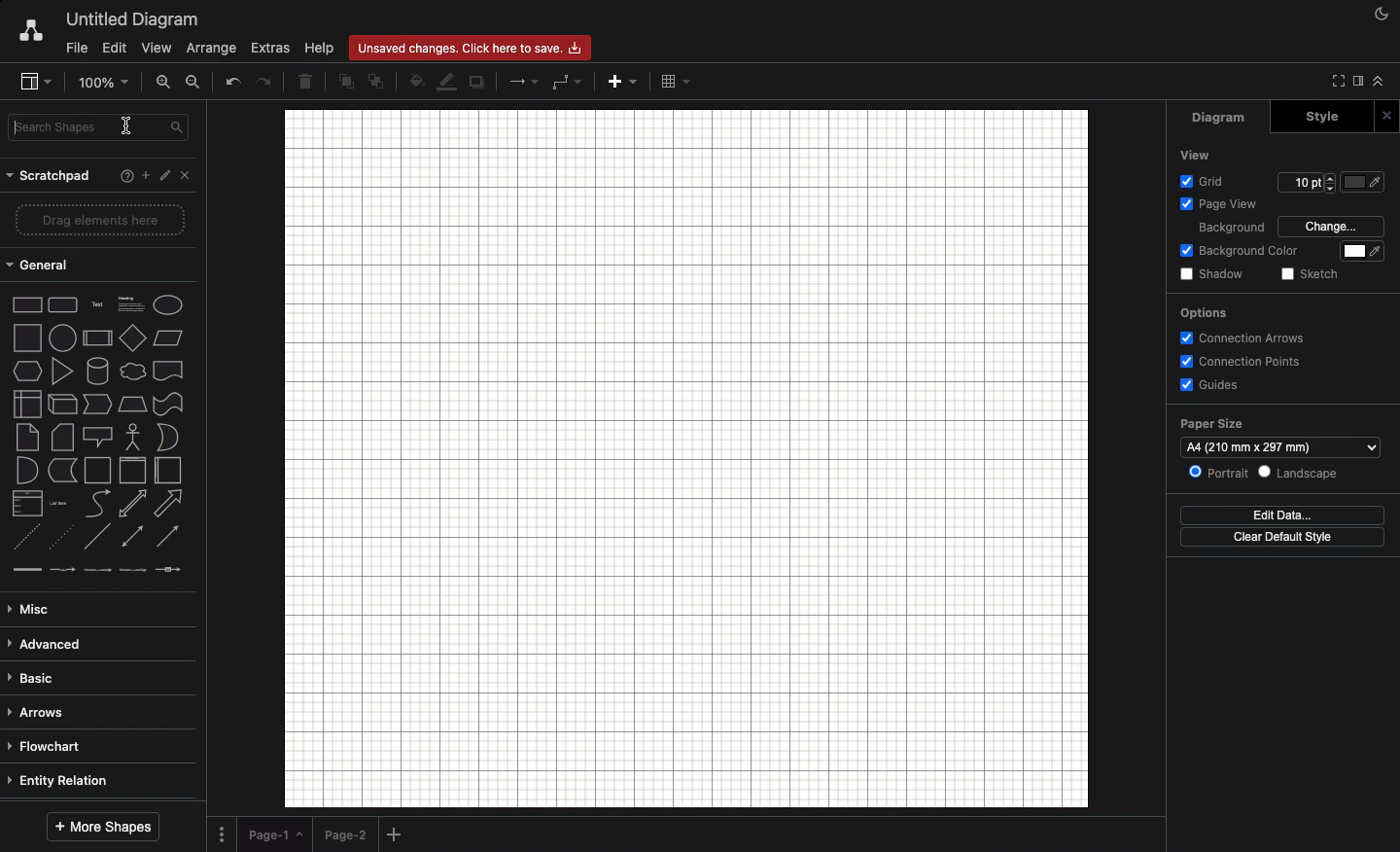 Image resolution: width=1400 pixels, height=852 pixels. I want to click on Typing, so click(101, 131).